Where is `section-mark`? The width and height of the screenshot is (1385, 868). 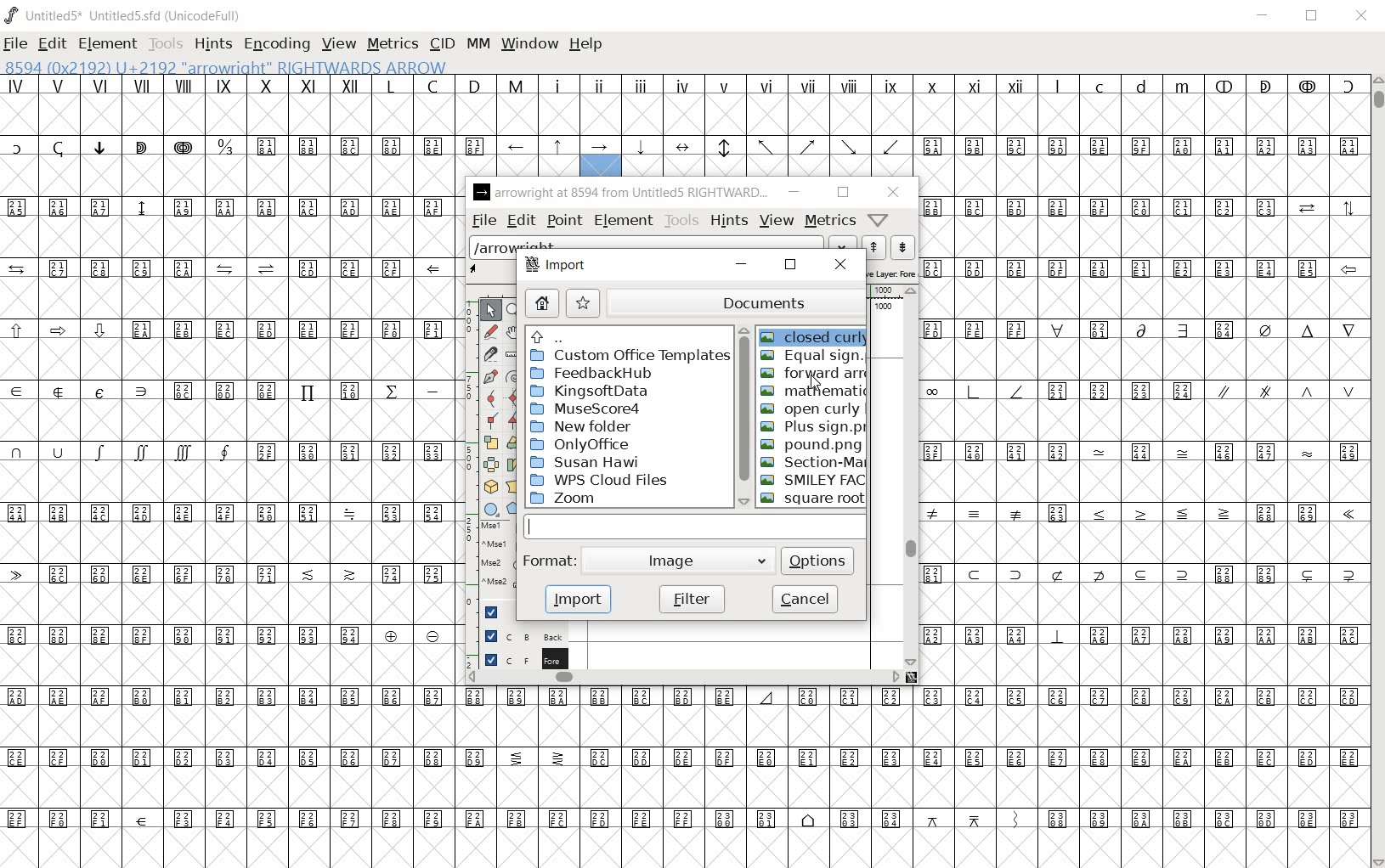 section-mark is located at coordinates (814, 462).